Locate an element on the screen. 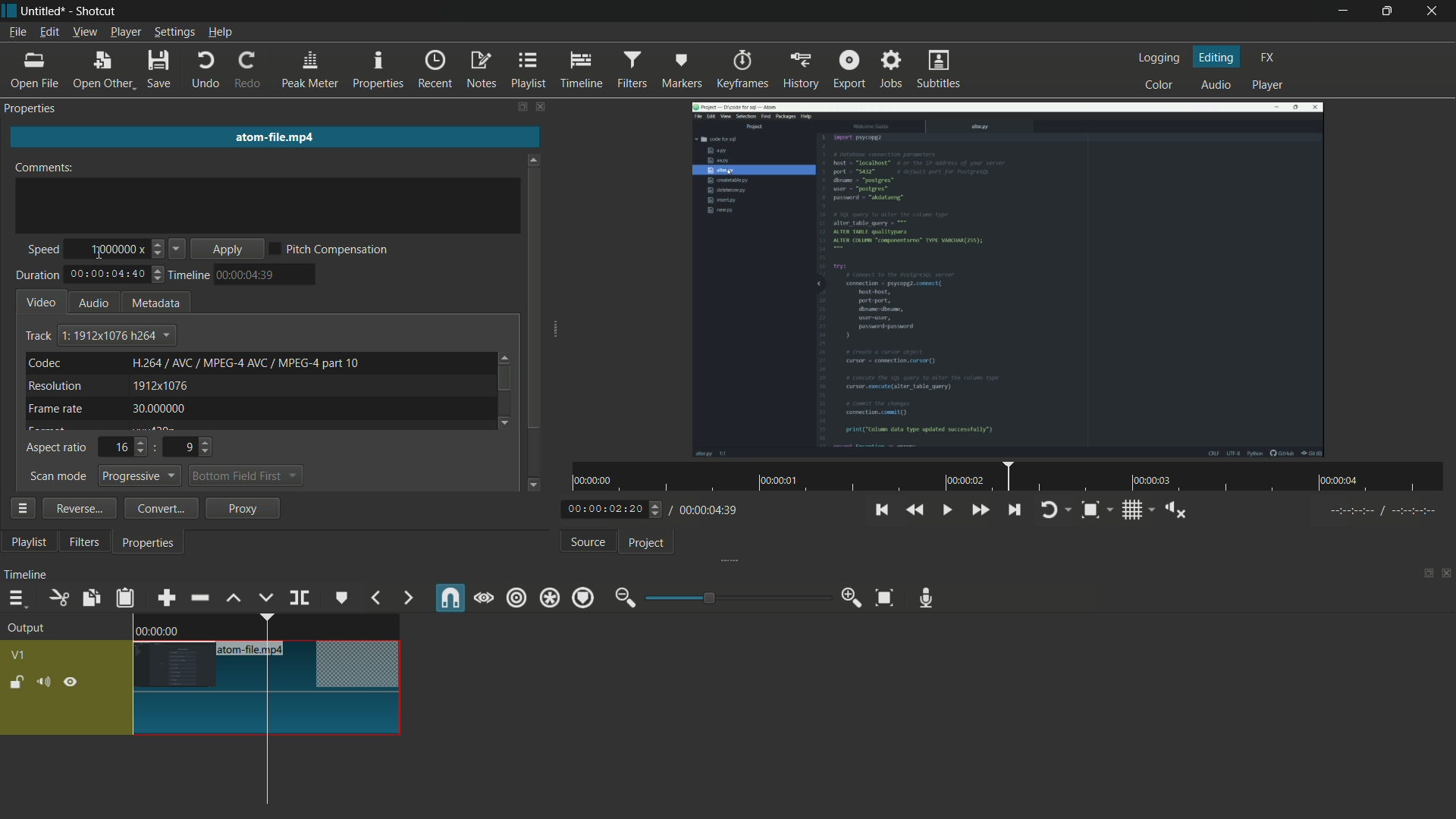 This screenshot has width=1456, height=819. markers is located at coordinates (683, 71).